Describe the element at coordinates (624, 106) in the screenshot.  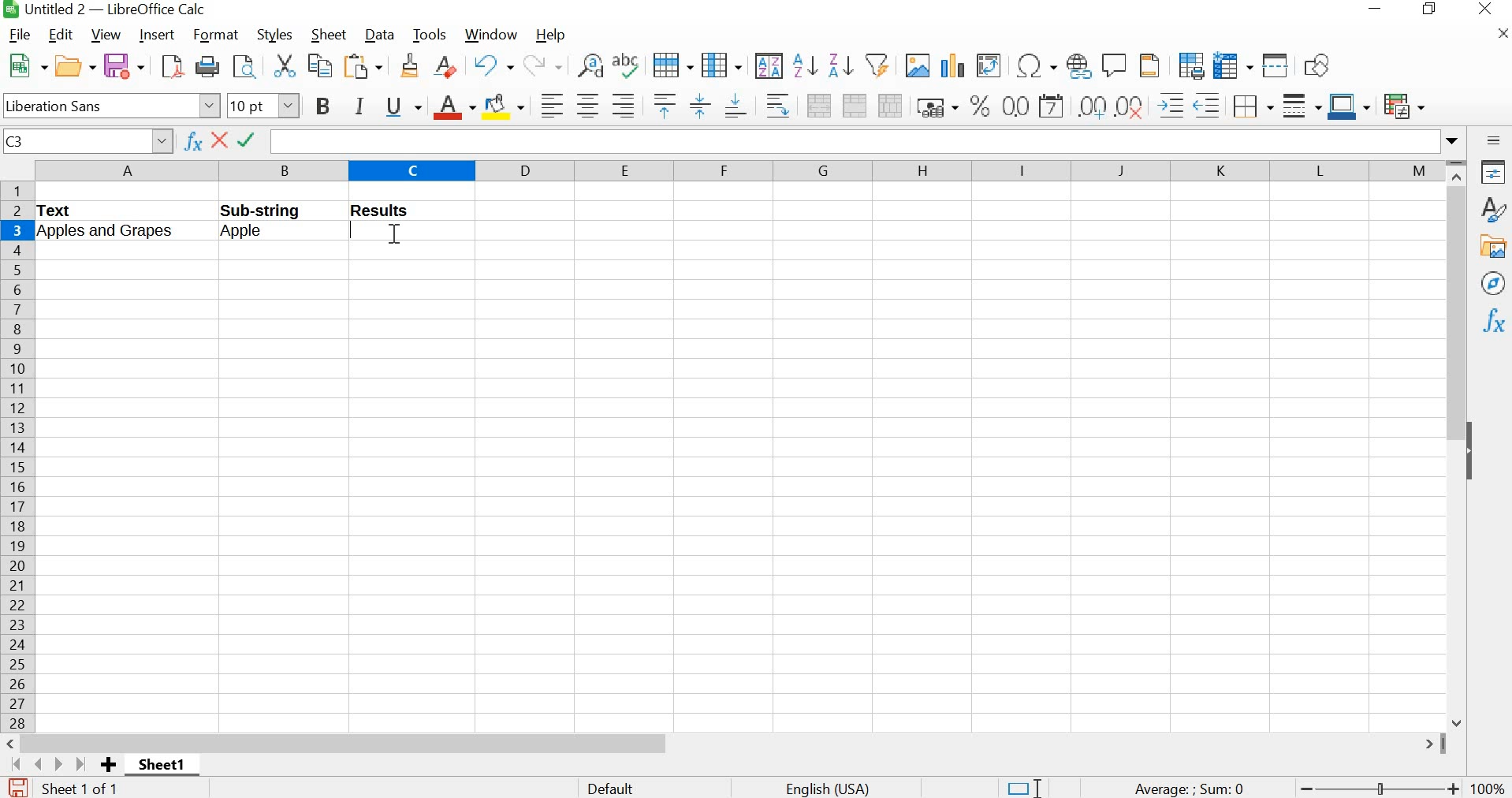
I see `align right` at that location.